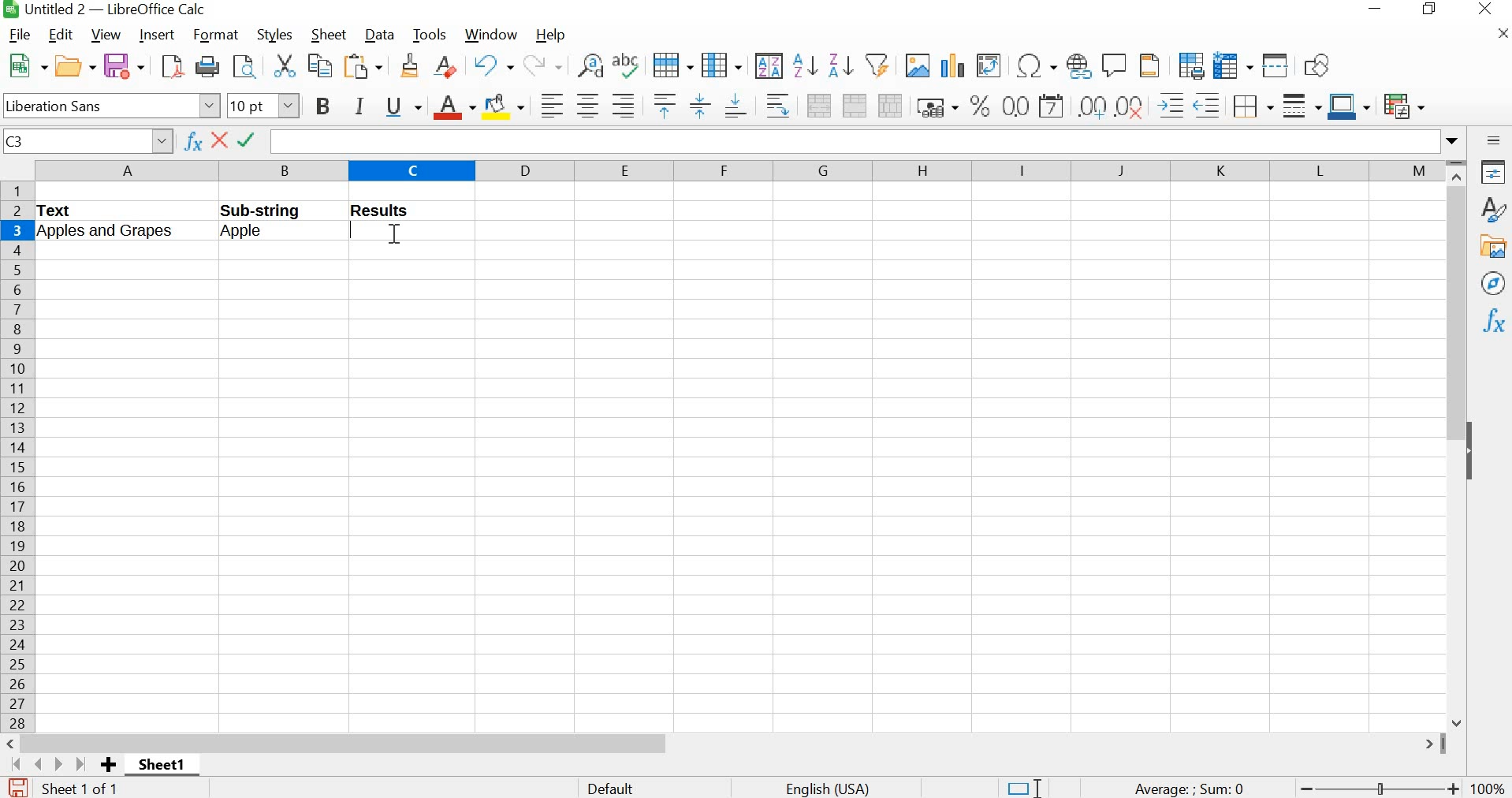 This screenshot has width=1512, height=798. What do you see at coordinates (111, 766) in the screenshot?
I see `add sheet` at bounding box center [111, 766].